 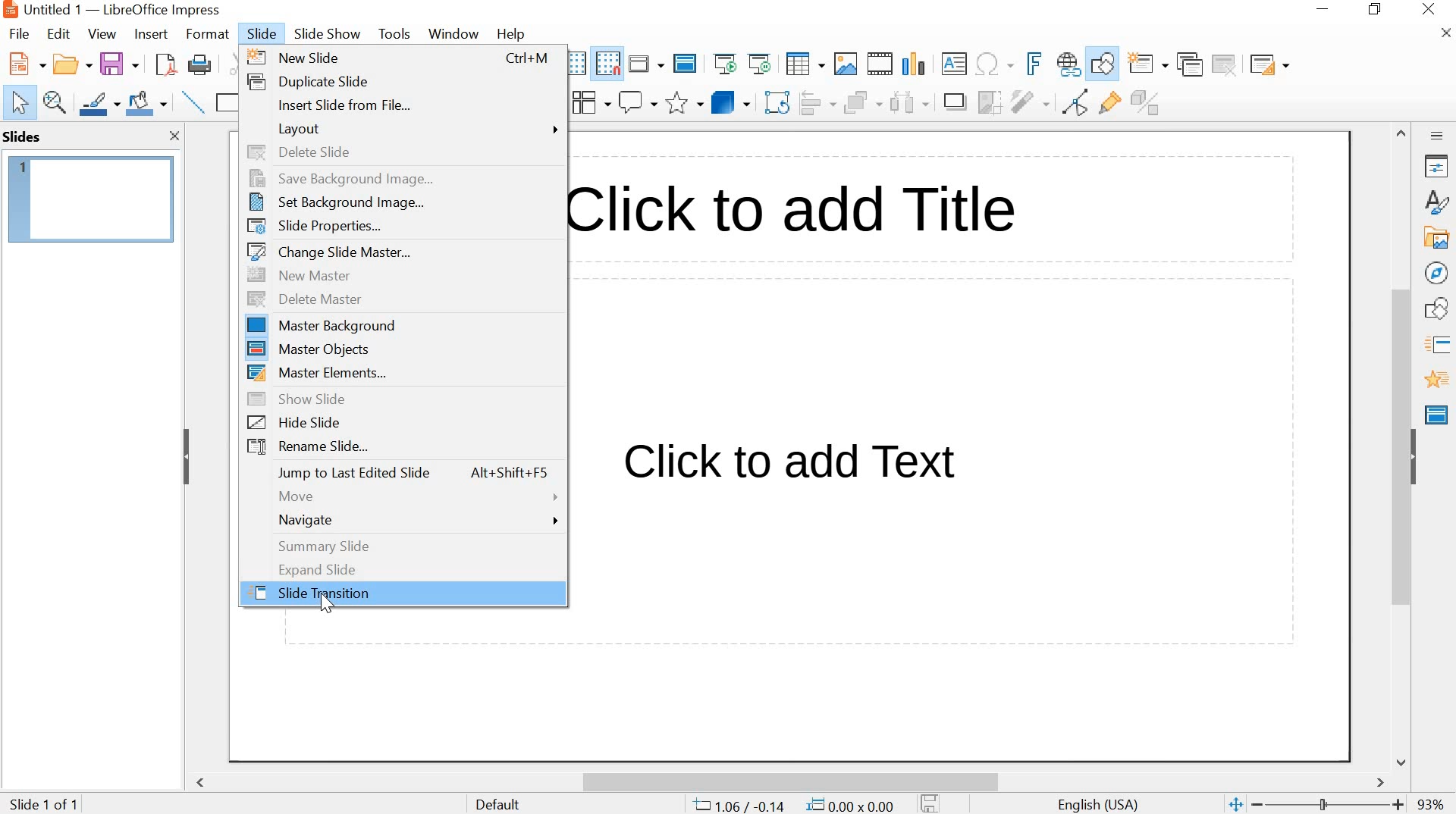 What do you see at coordinates (955, 102) in the screenshot?
I see `Shadow` at bounding box center [955, 102].